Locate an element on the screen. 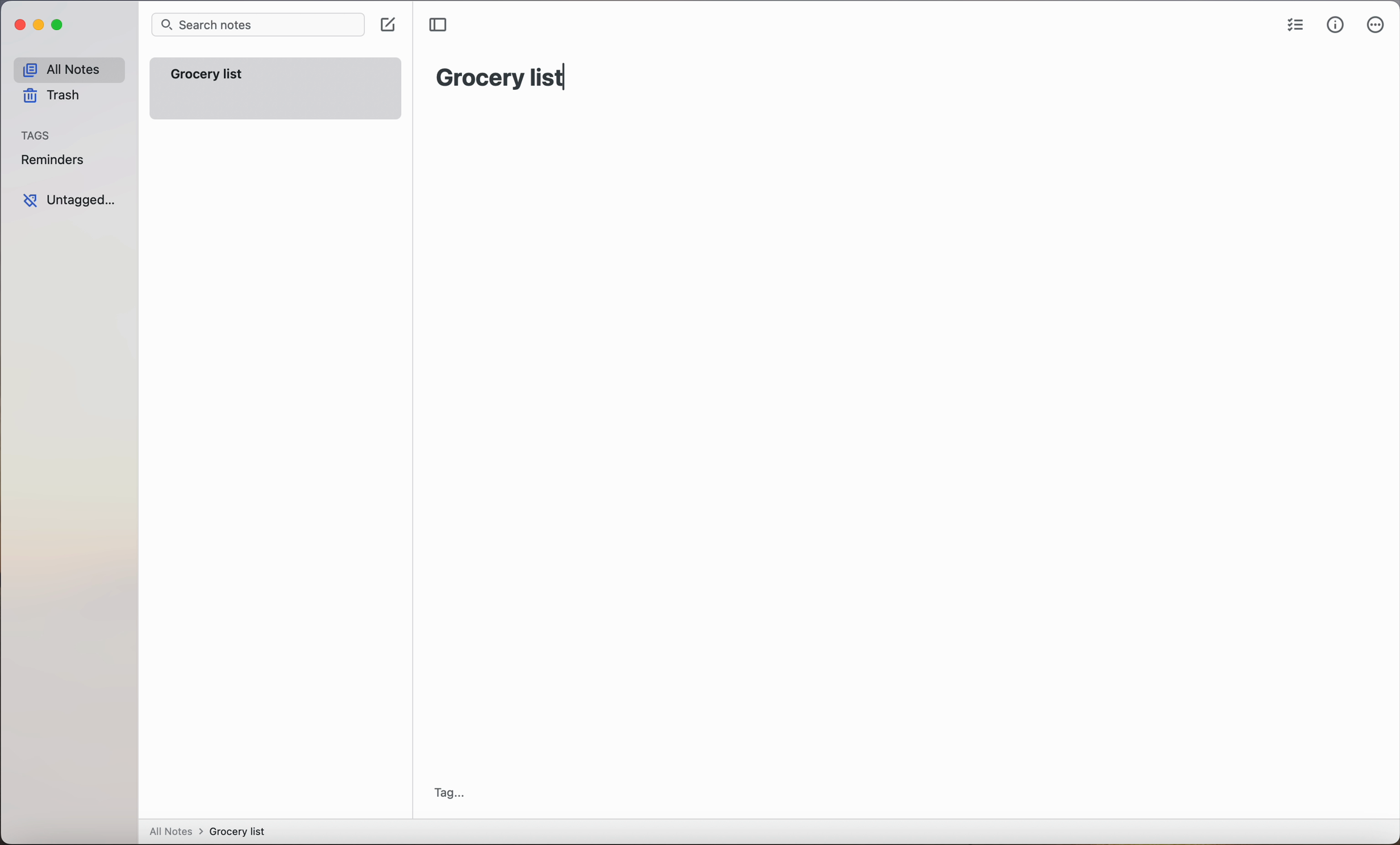  tag is located at coordinates (449, 793).